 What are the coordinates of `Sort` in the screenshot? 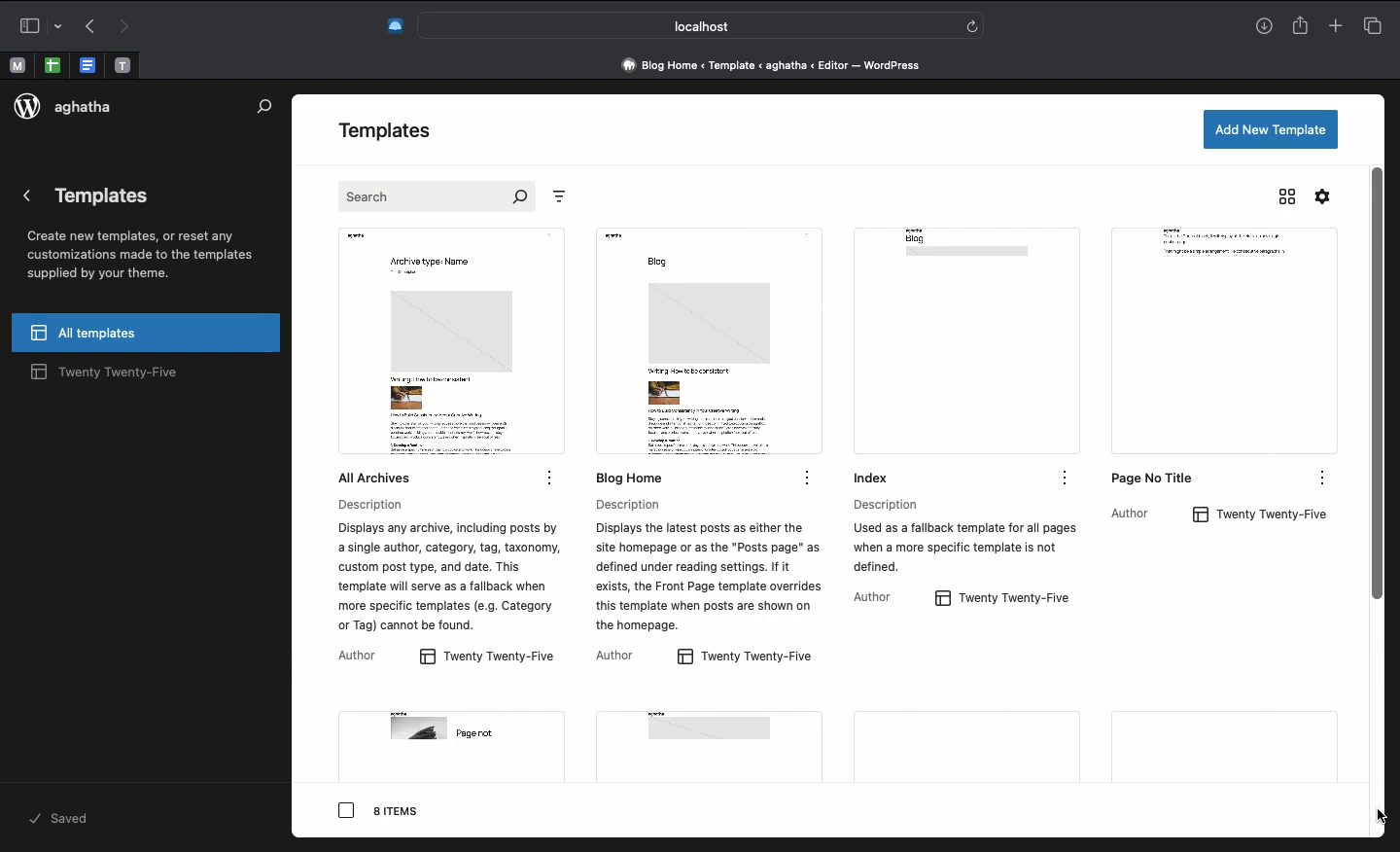 It's located at (564, 195).